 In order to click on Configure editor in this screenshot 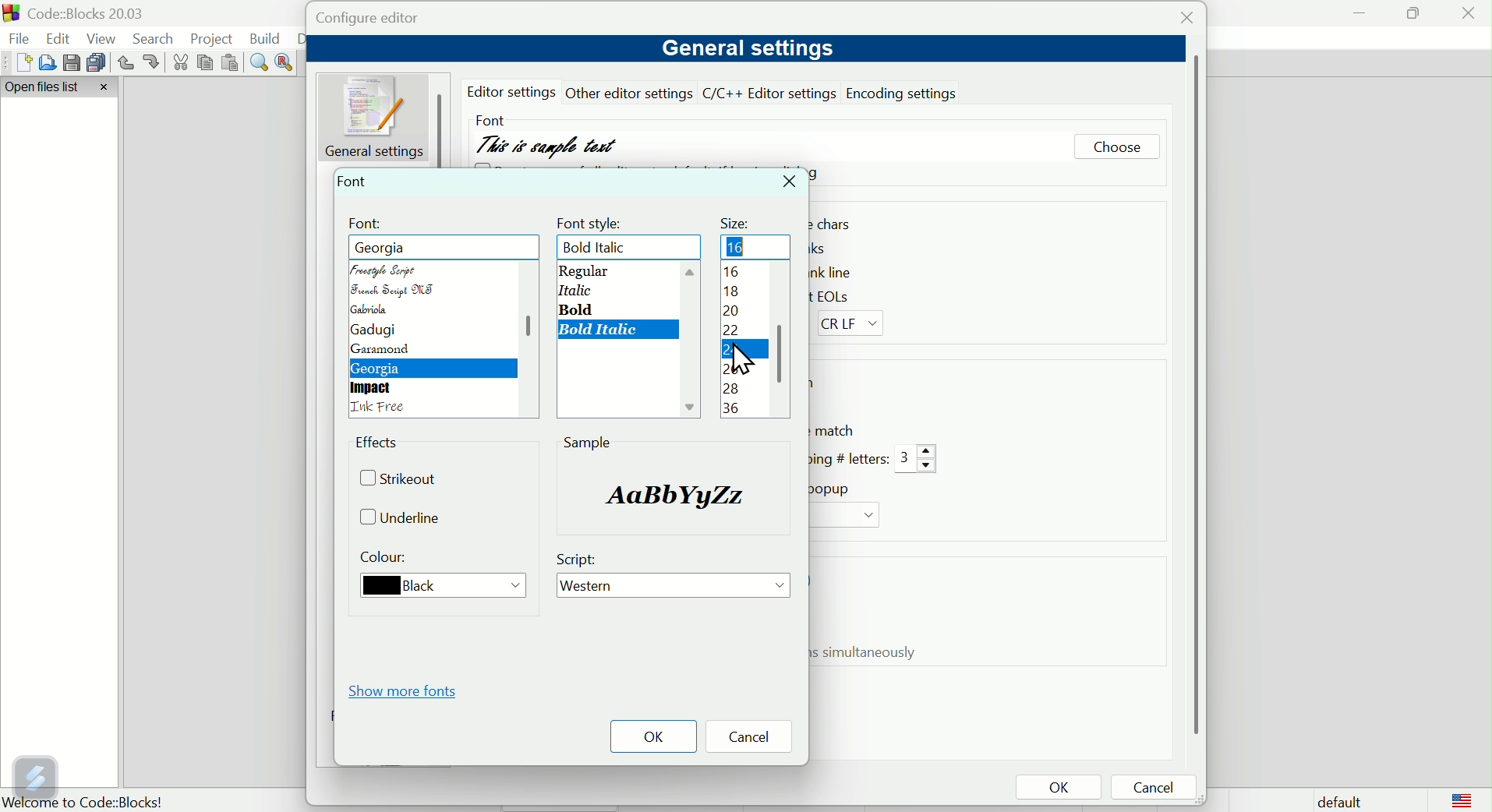, I will do `click(384, 19)`.